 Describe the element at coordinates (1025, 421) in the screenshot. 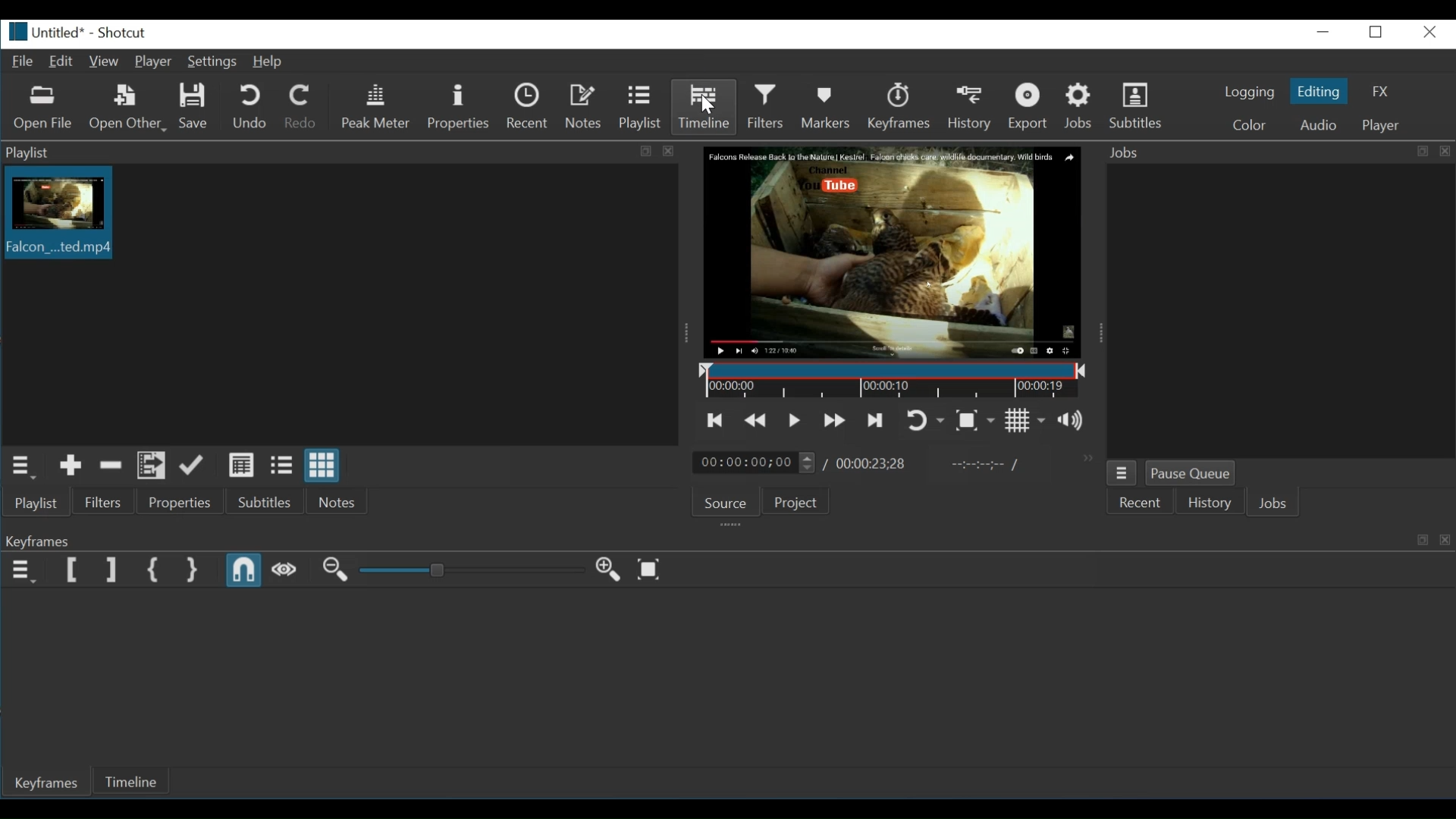

I see `Toggle grid display on the player` at that location.